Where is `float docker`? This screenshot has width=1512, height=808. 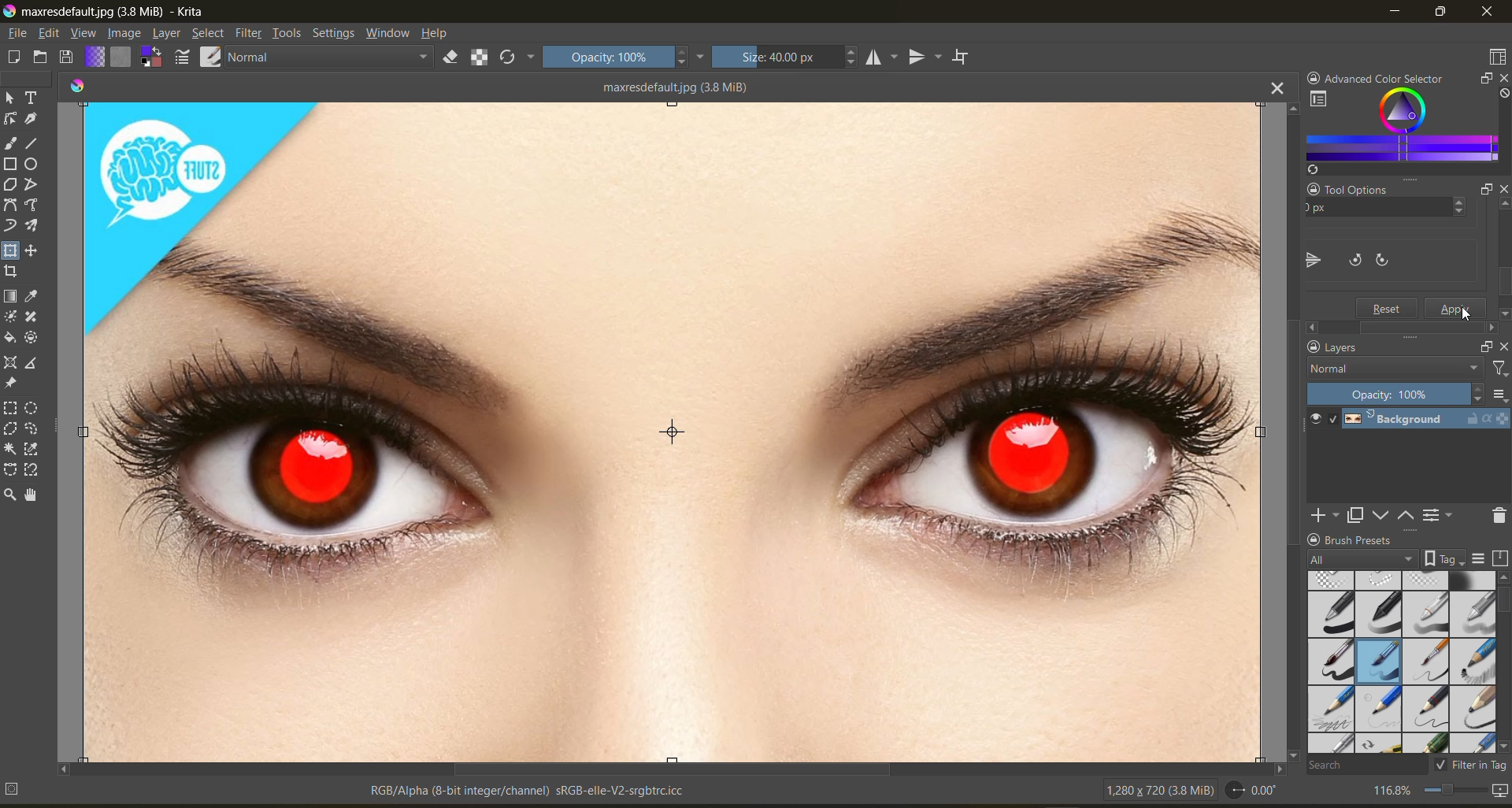 float docker is located at coordinates (1484, 349).